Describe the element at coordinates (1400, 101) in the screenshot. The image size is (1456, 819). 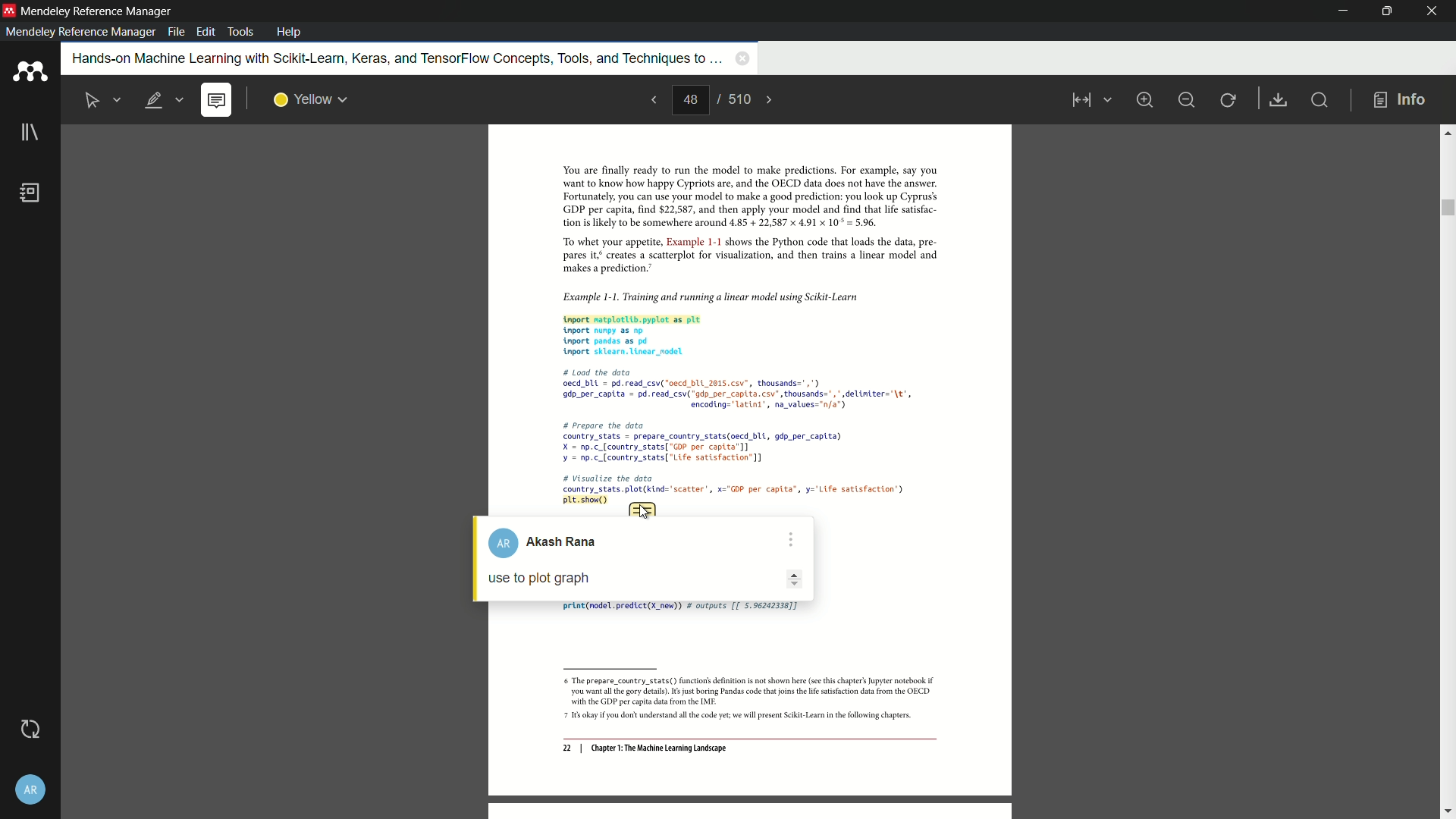
I see `info` at that location.